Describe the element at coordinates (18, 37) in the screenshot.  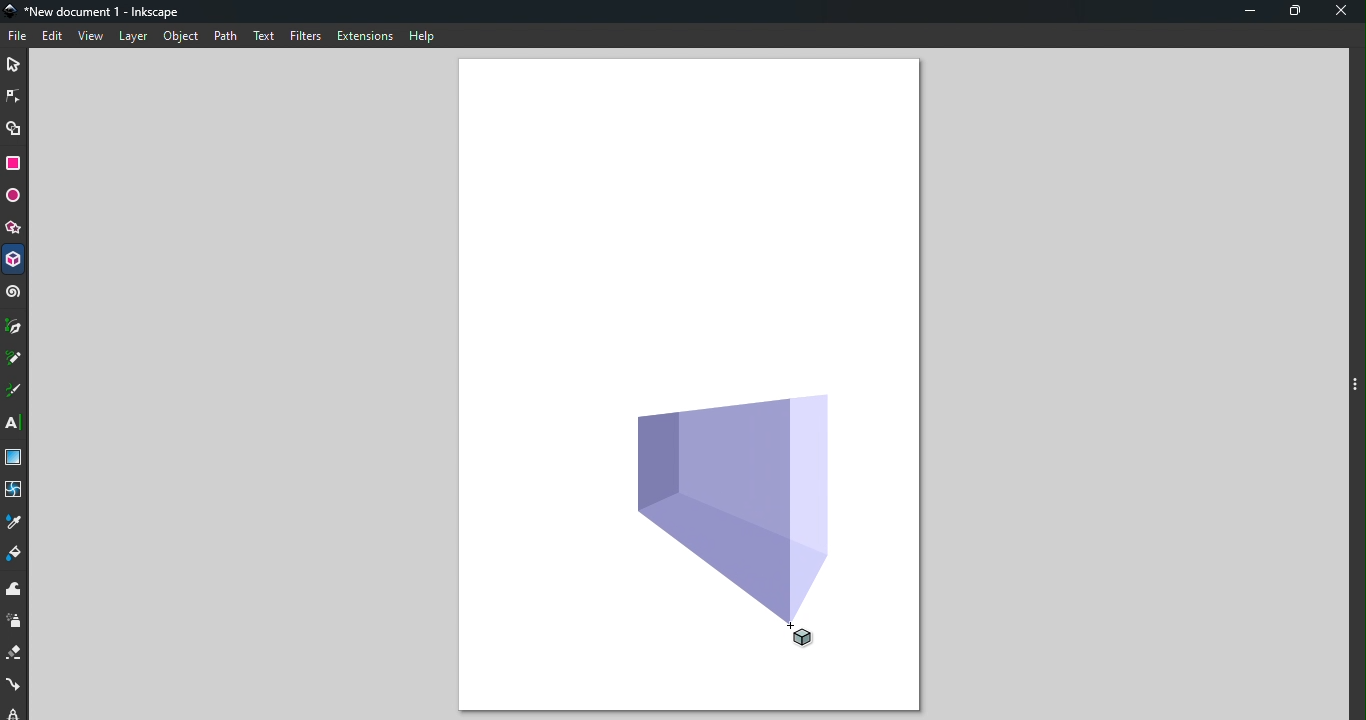
I see `File` at that location.